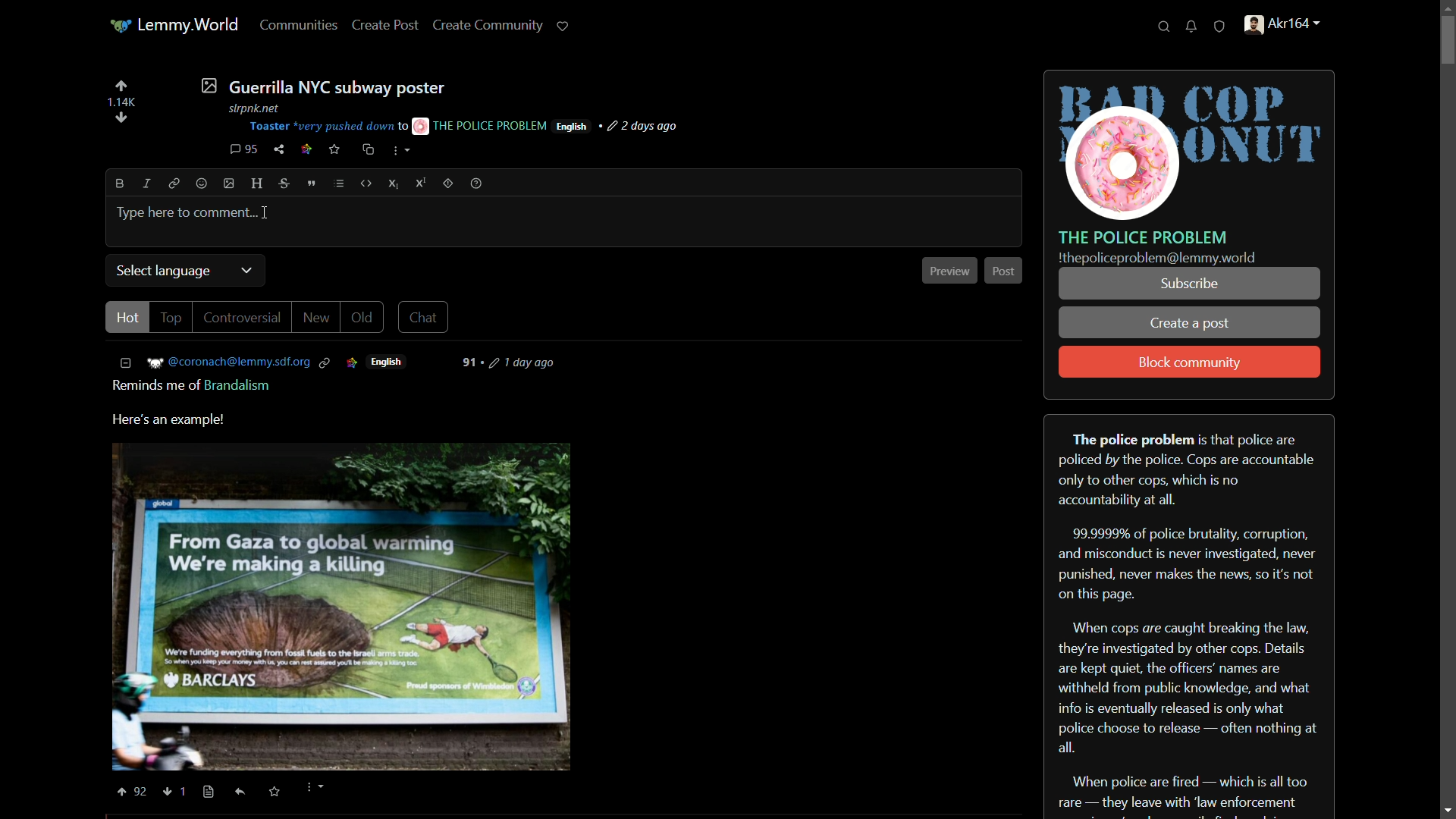 This screenshot has height=819, width=1456. I want to click on top, so click(171, 318).